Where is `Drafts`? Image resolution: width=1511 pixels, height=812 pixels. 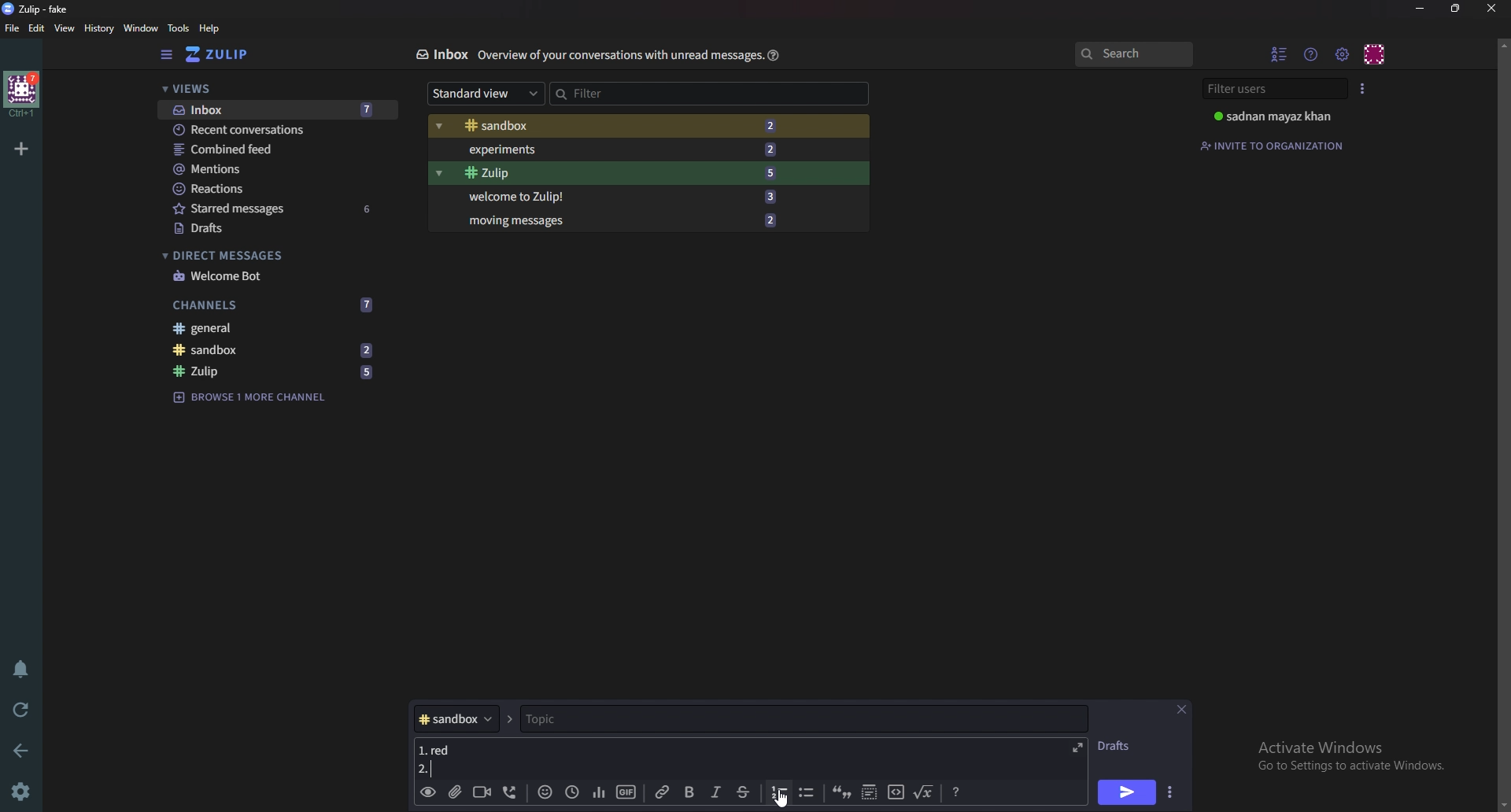
Drafts is located at coordinates (272, 228).